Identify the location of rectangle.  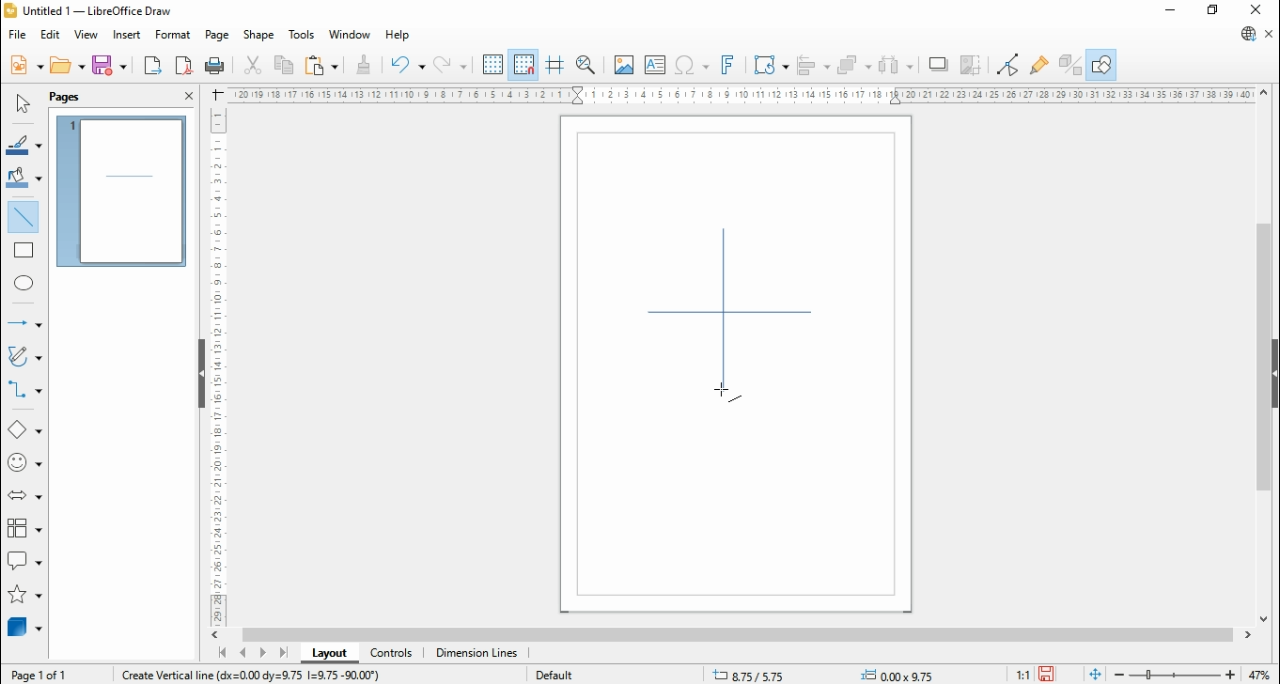
(24, 250).